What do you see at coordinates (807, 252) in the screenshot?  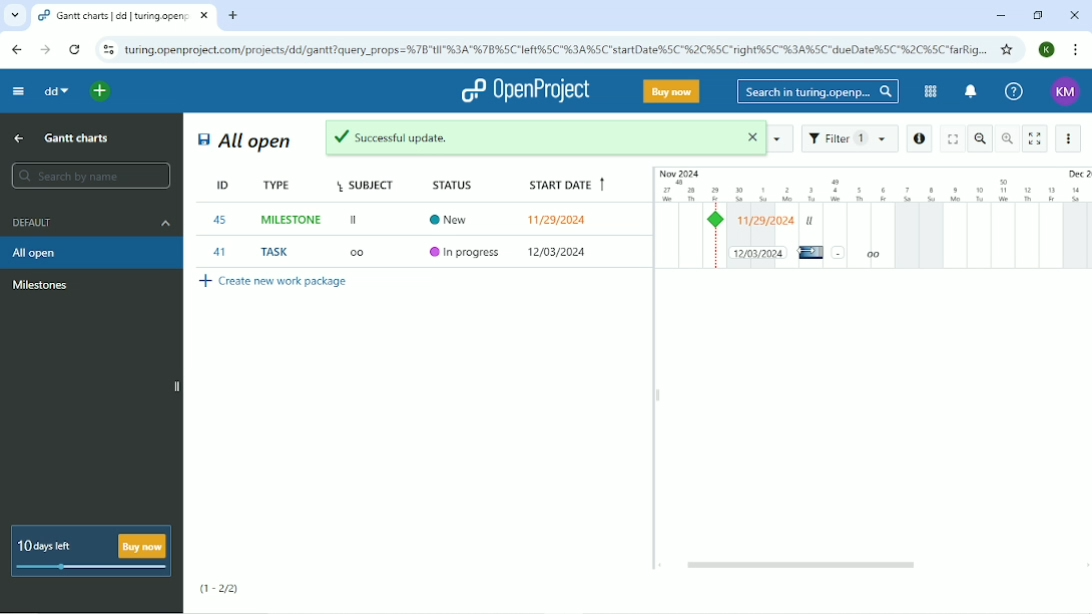 I see `Cursor` at bounding box center [807, 252].